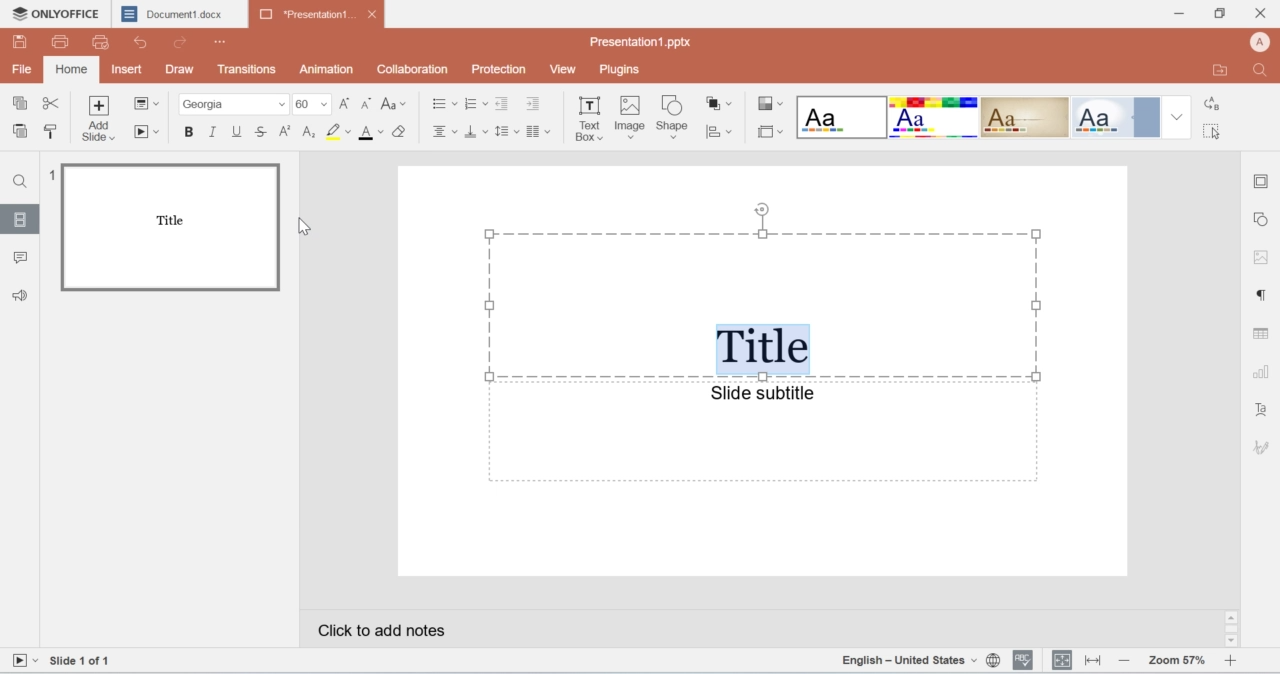 This screenshot has height=674, width=1280. What do you see at coordinates (995, 117) in the screenshot?
I see `format` at bounding box center [995, 117].